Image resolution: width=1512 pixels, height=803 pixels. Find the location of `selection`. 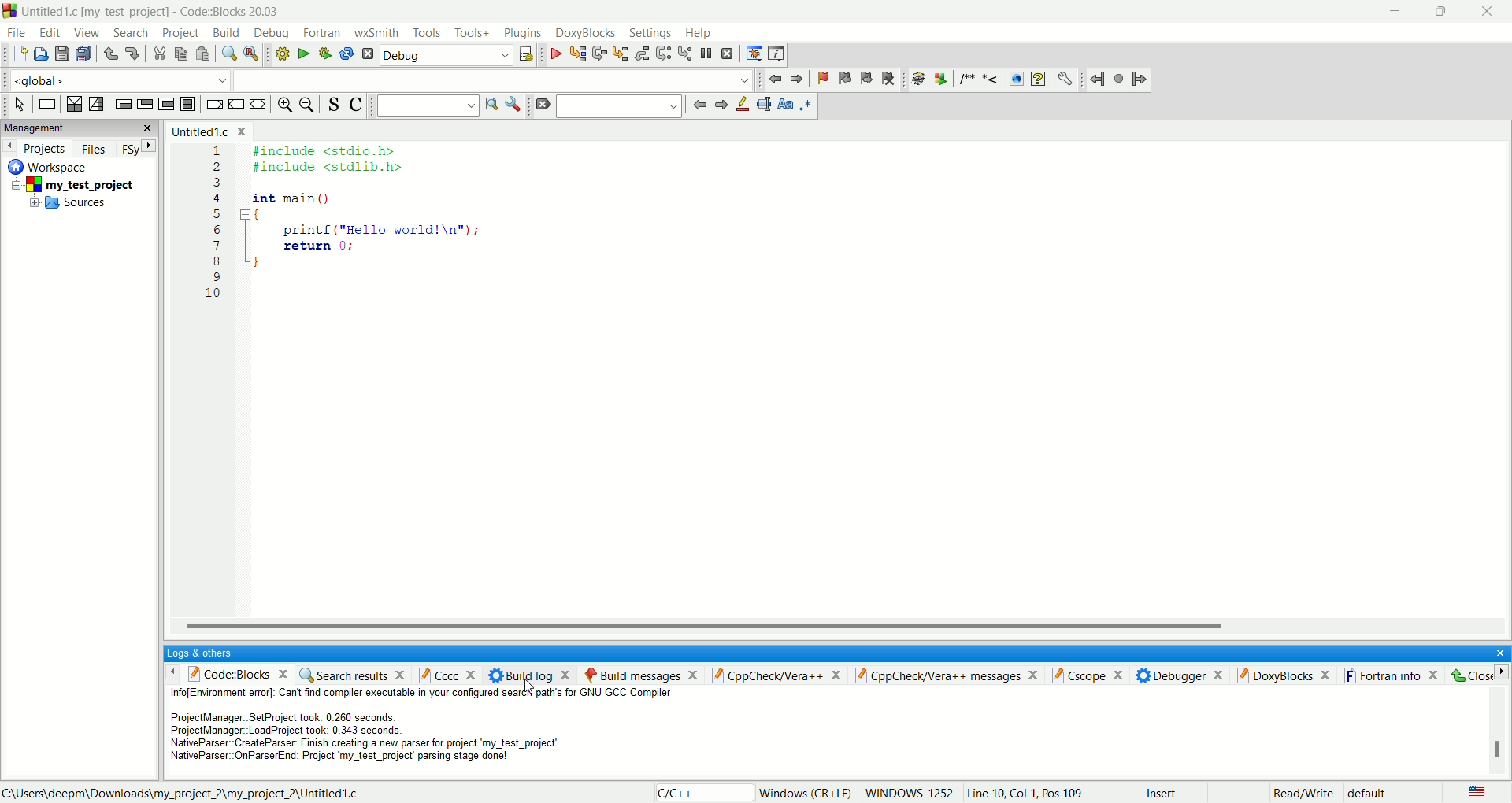

selection is located at coordinates (95, 105).